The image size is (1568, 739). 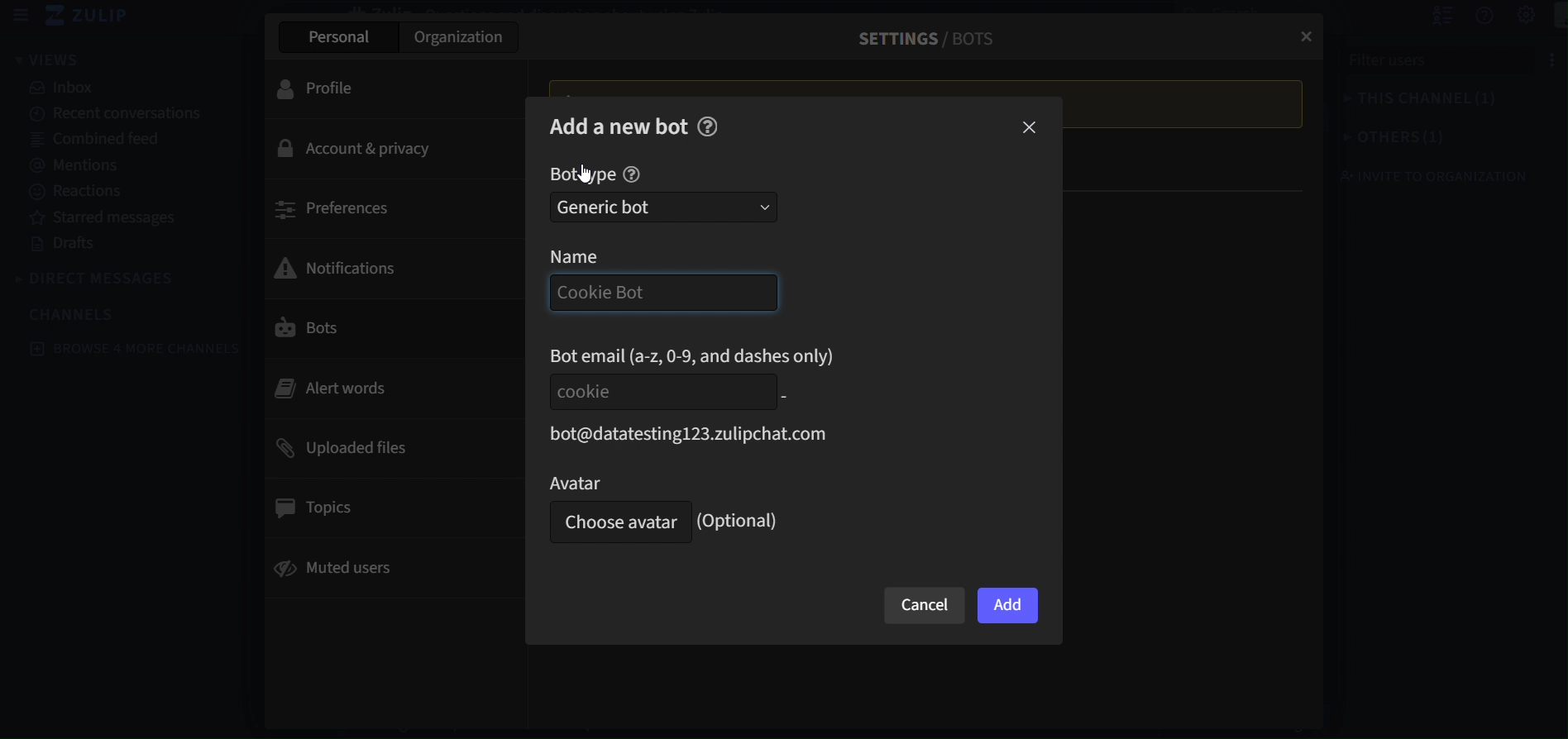 What do you see at coordinates (632, 175) in the screenshot?
I see `help` at bounding box center [632, 175].